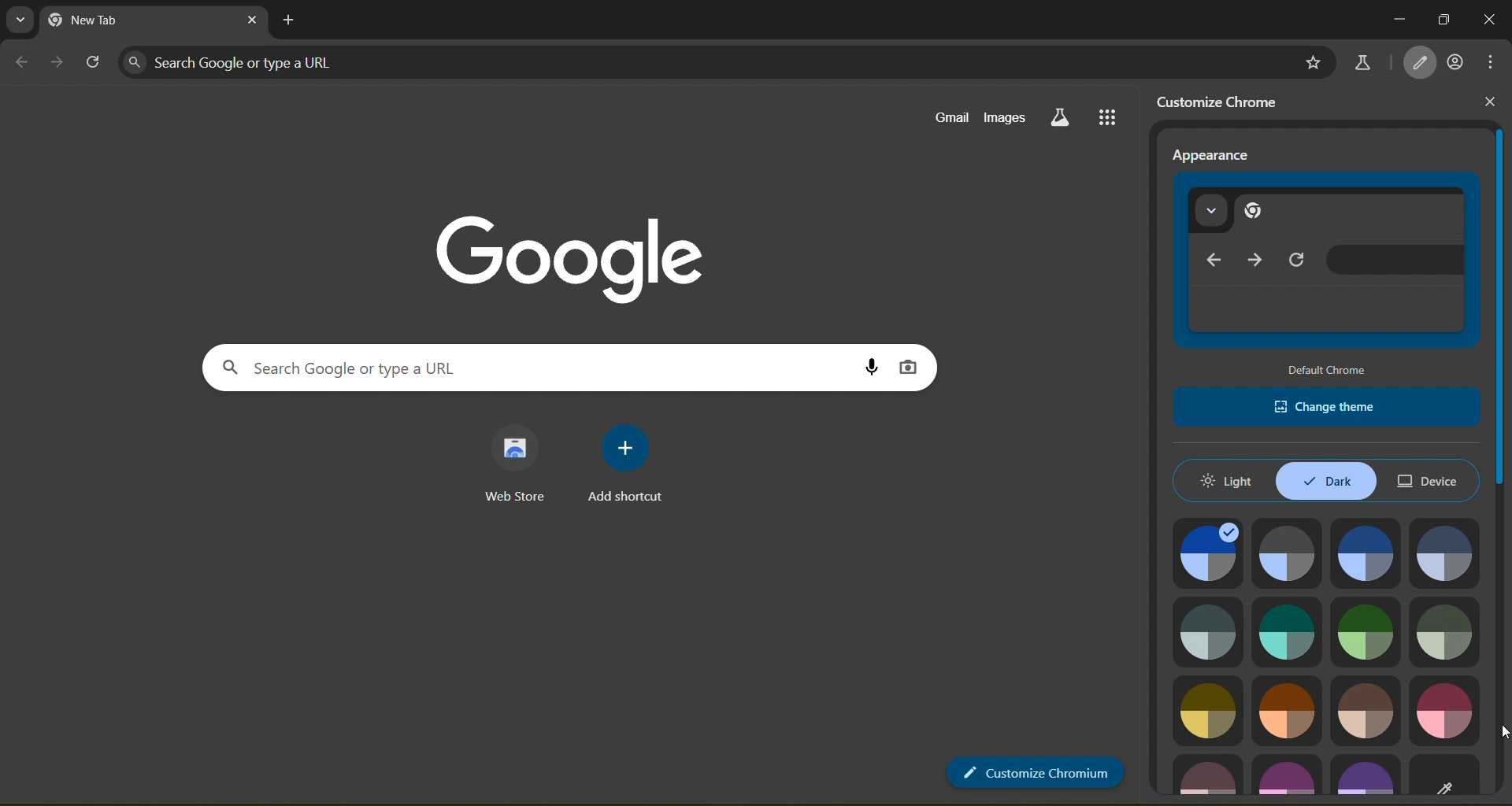 This screenshot has width=1512, height=806. I want to click on gmail, so click(951, 118).